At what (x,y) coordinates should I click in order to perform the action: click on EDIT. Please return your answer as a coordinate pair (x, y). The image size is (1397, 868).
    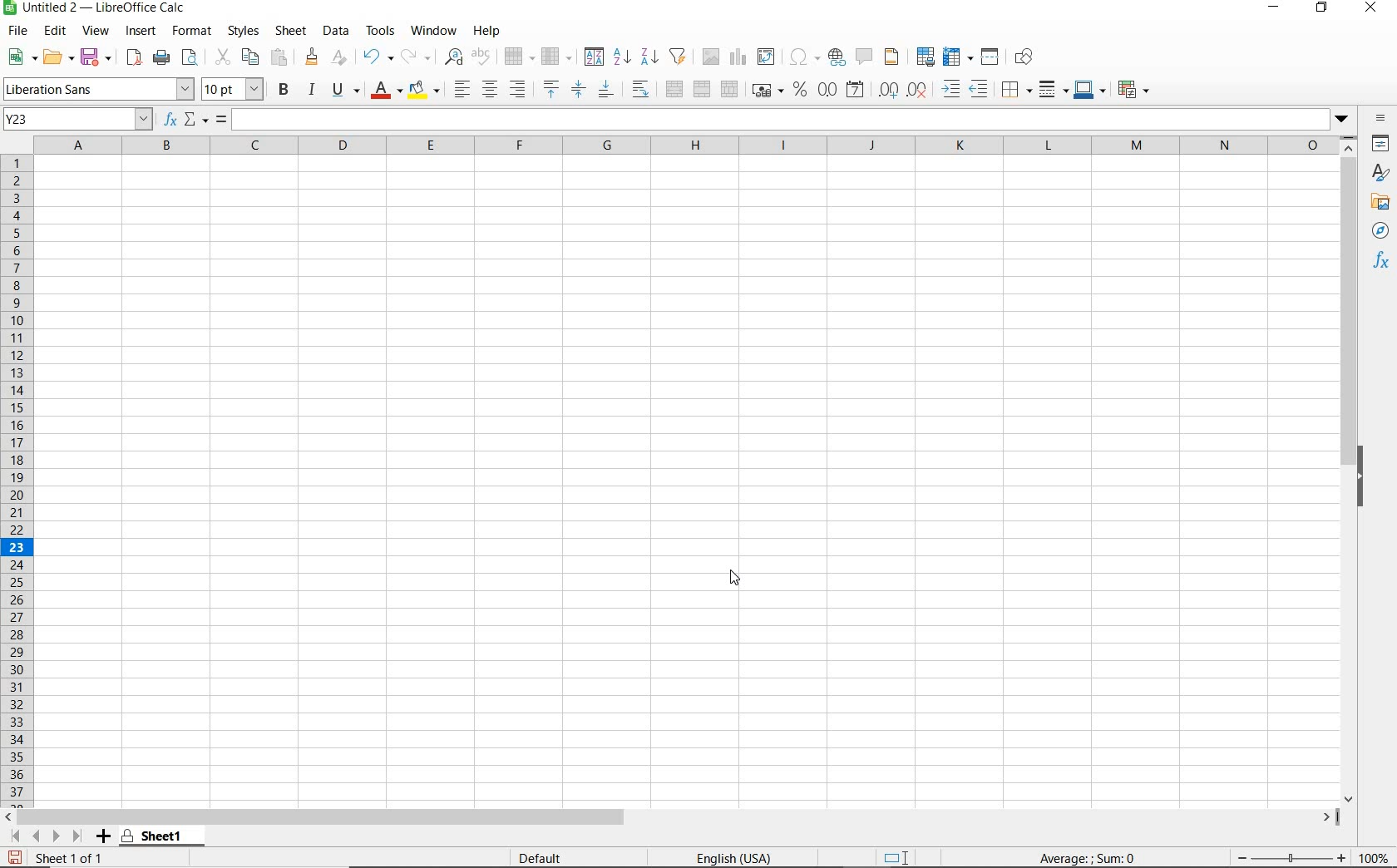
    Looking at the image, I should click on (55, 31).